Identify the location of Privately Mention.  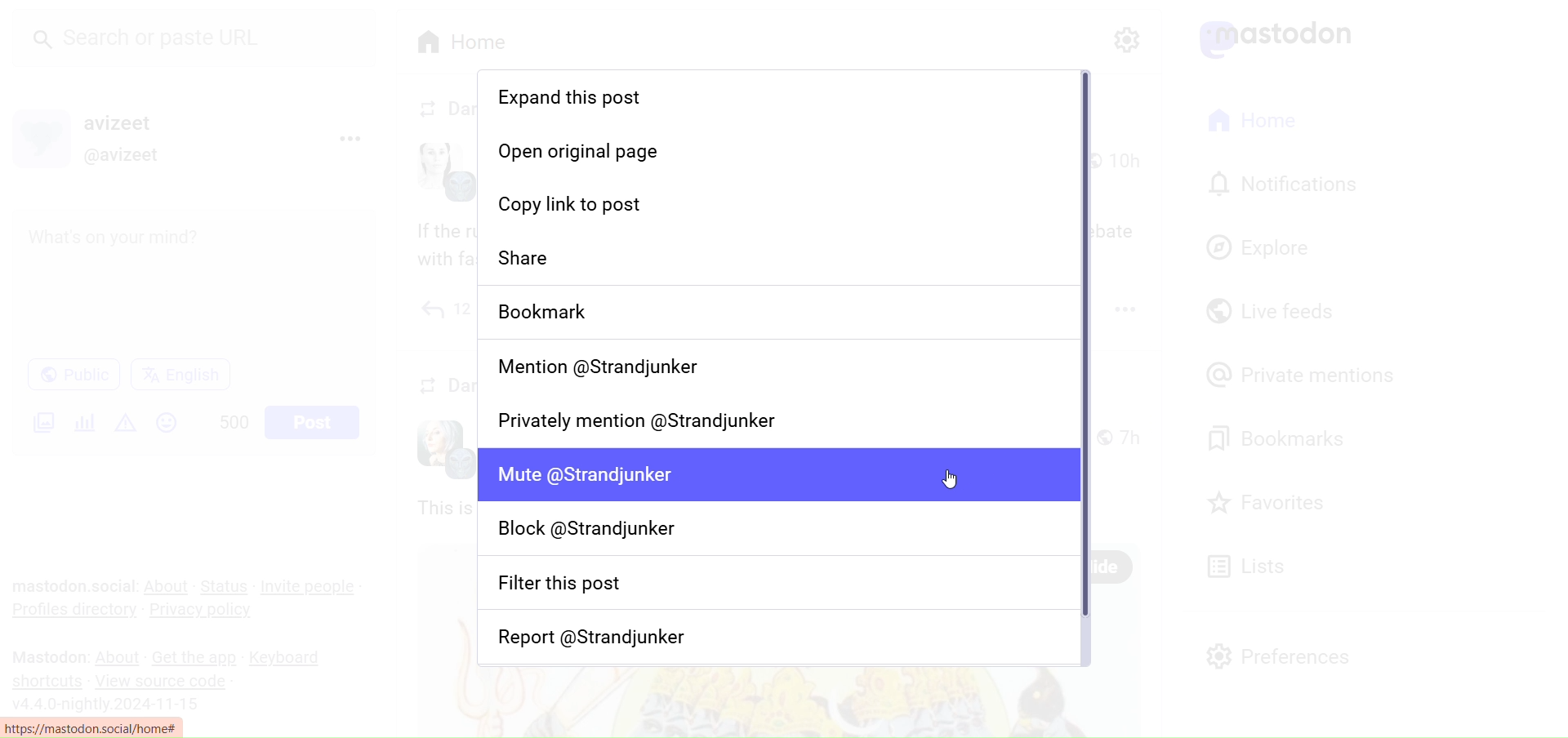
(781, 416).